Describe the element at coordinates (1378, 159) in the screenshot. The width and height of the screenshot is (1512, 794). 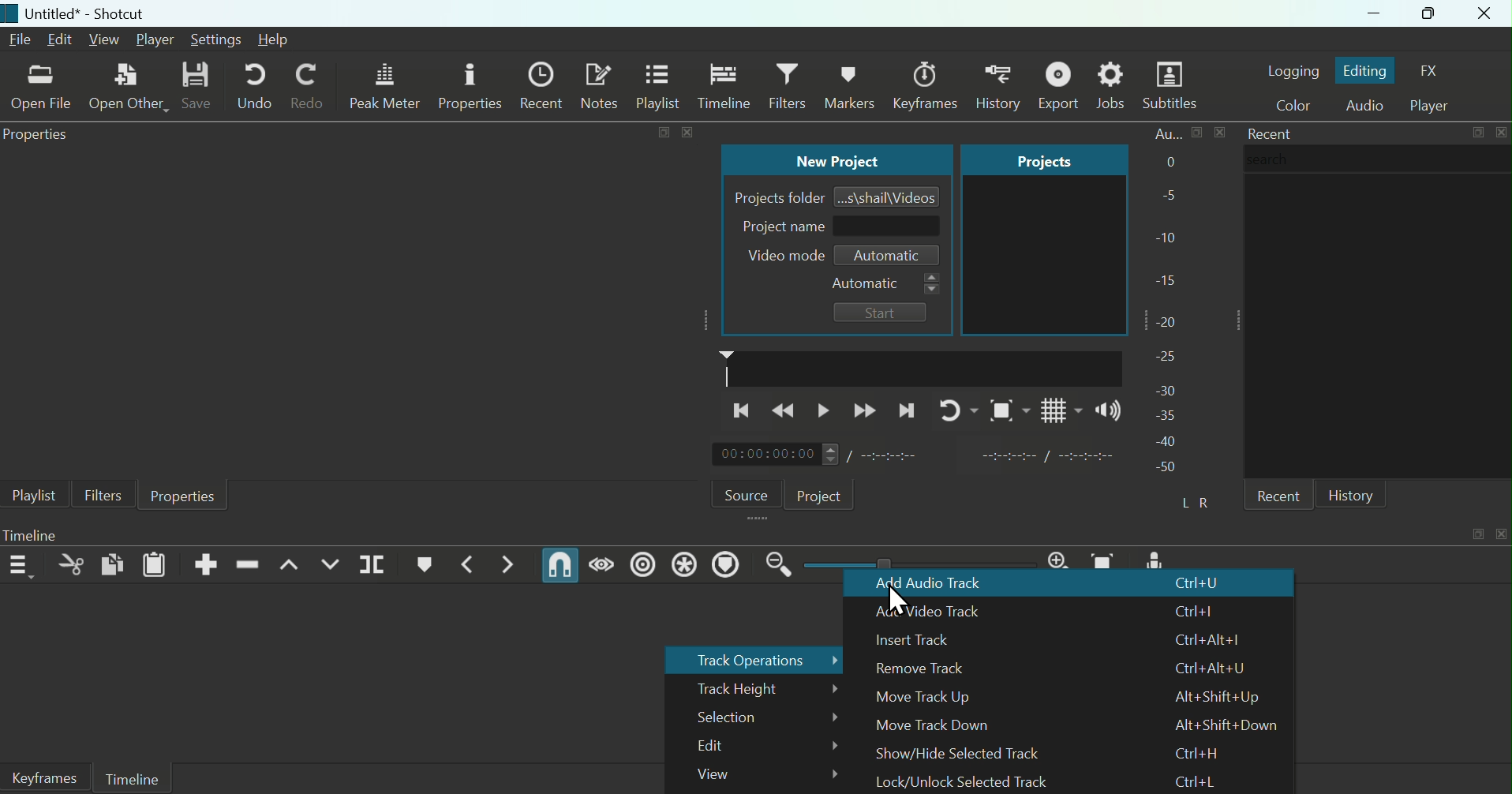
I see `search` at that location.